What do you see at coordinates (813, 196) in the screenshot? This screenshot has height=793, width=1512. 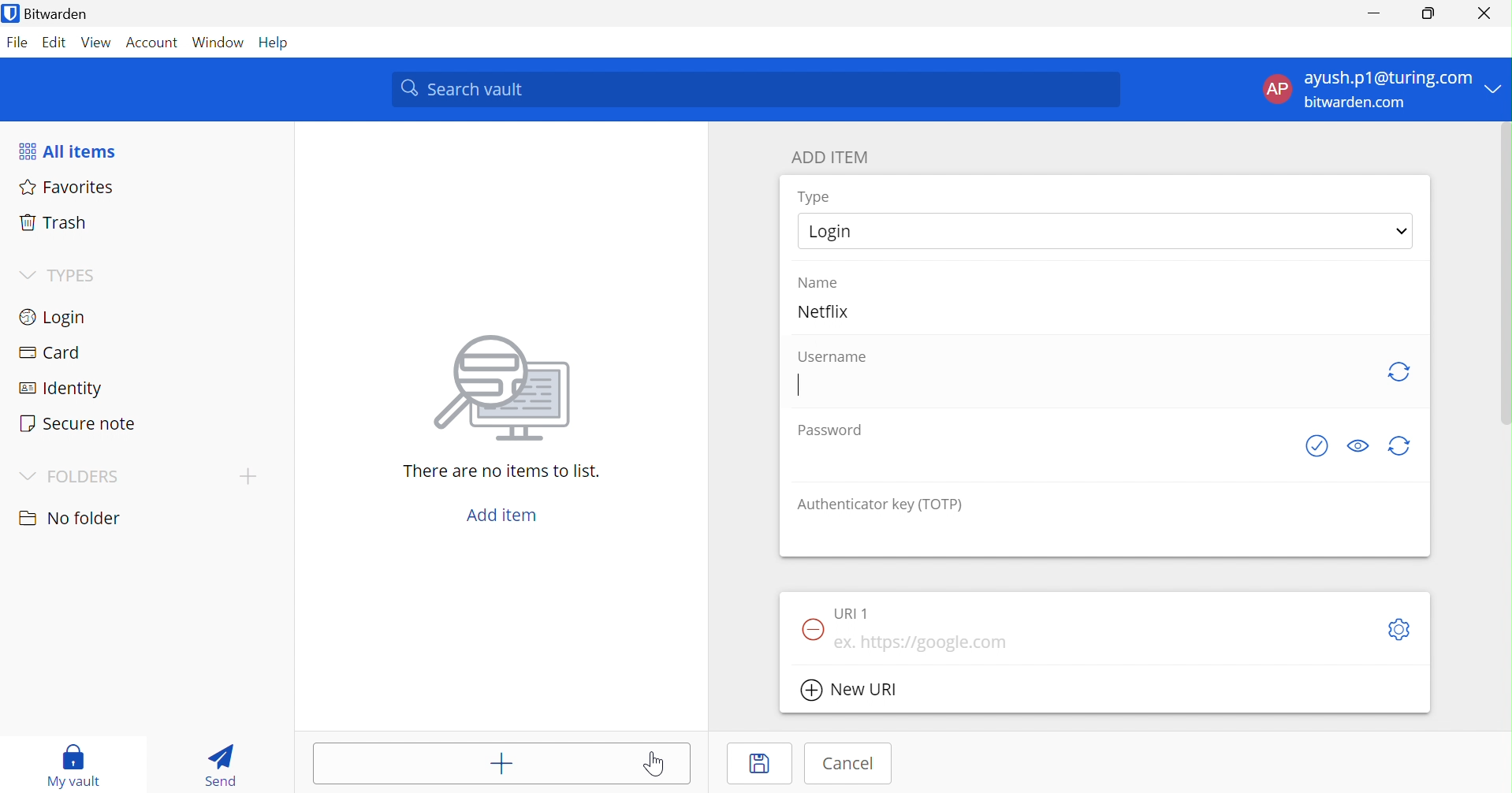 I see `Type` at bounding box center [813, 196].